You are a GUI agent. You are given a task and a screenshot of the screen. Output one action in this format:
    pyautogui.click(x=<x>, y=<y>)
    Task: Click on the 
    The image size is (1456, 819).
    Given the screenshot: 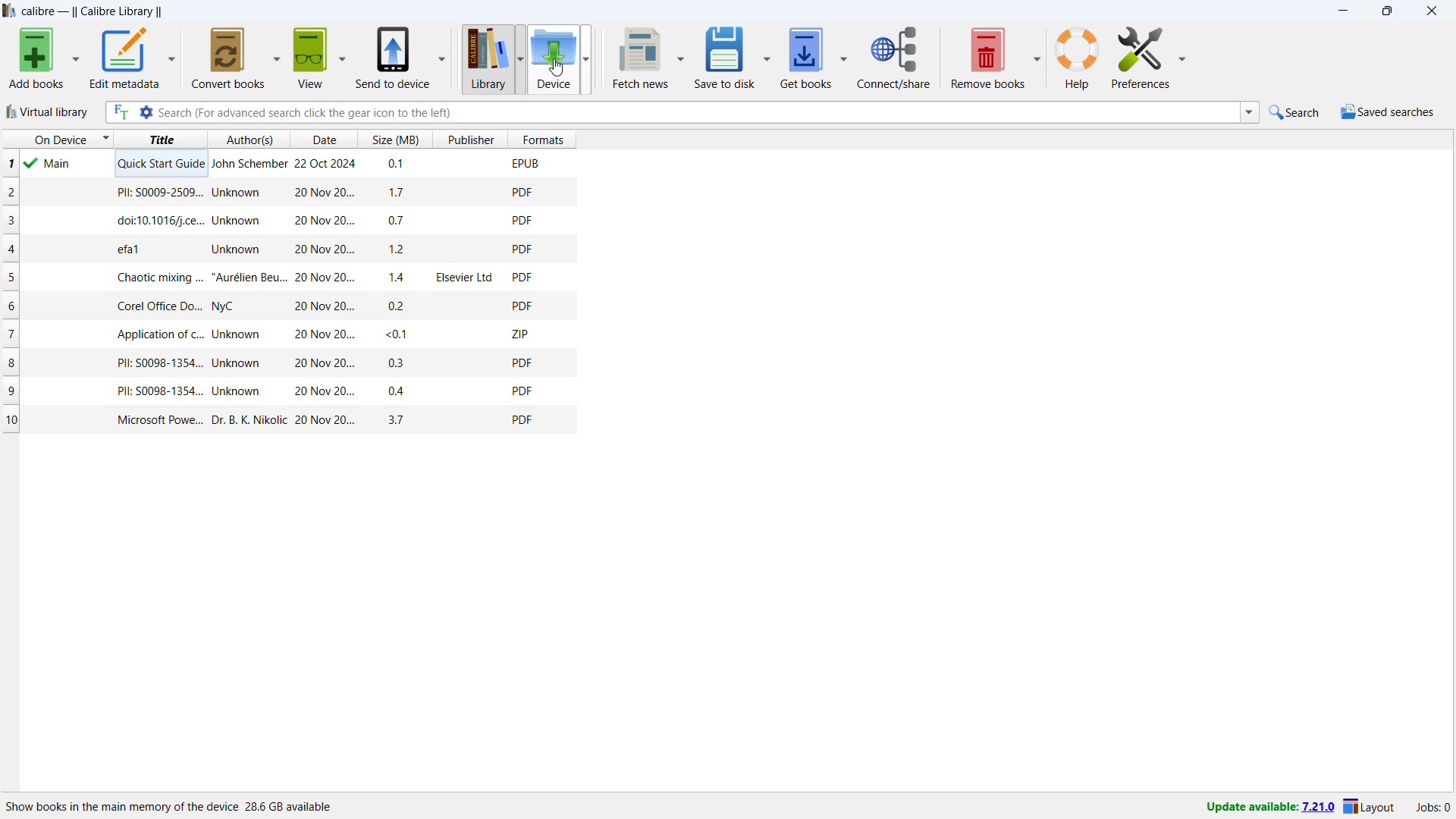 What is the action you would take?
    pyautogui.click(x=290, y=220)
    